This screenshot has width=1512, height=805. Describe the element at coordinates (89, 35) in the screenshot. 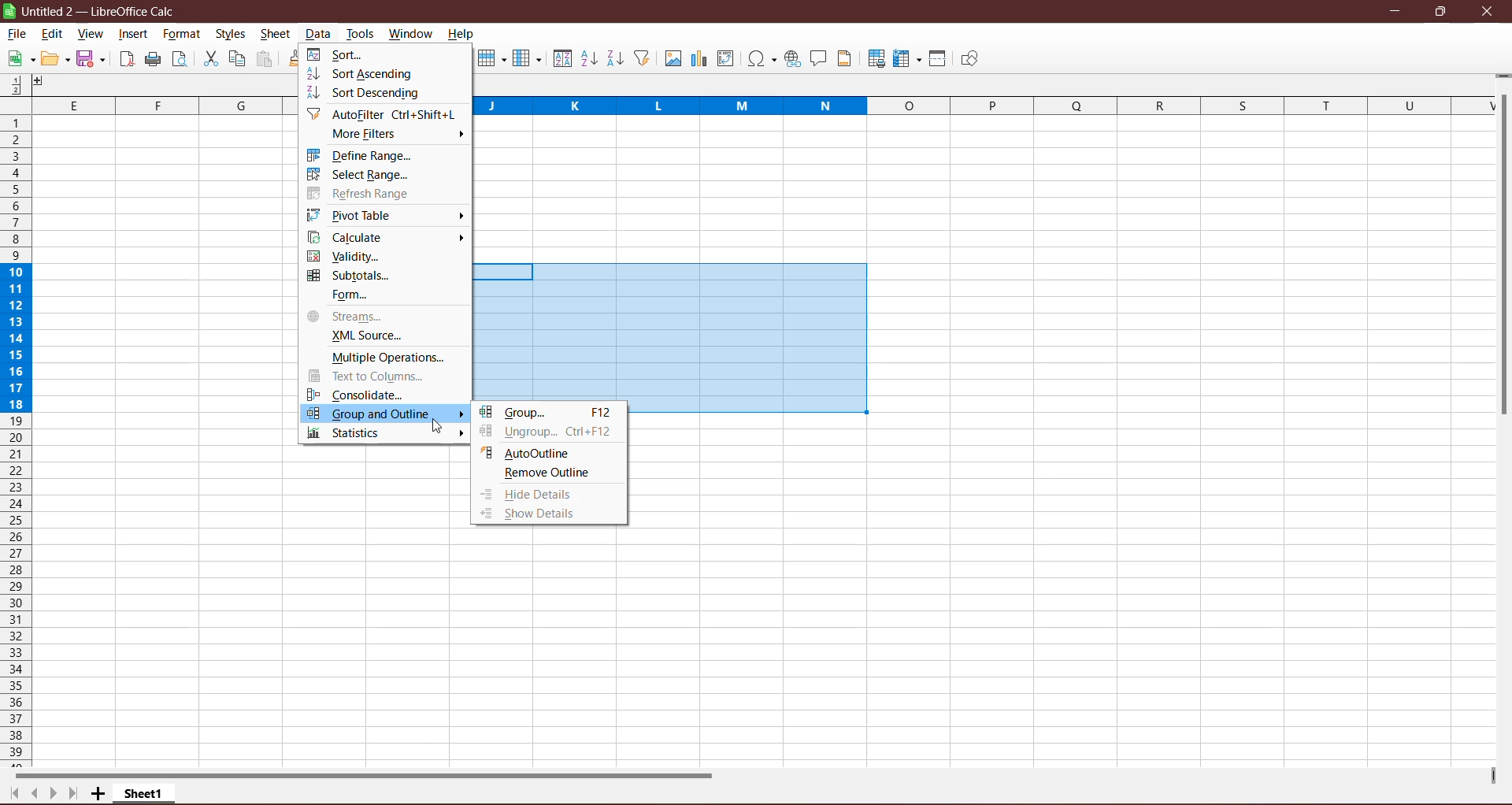

I see `View` at that location.